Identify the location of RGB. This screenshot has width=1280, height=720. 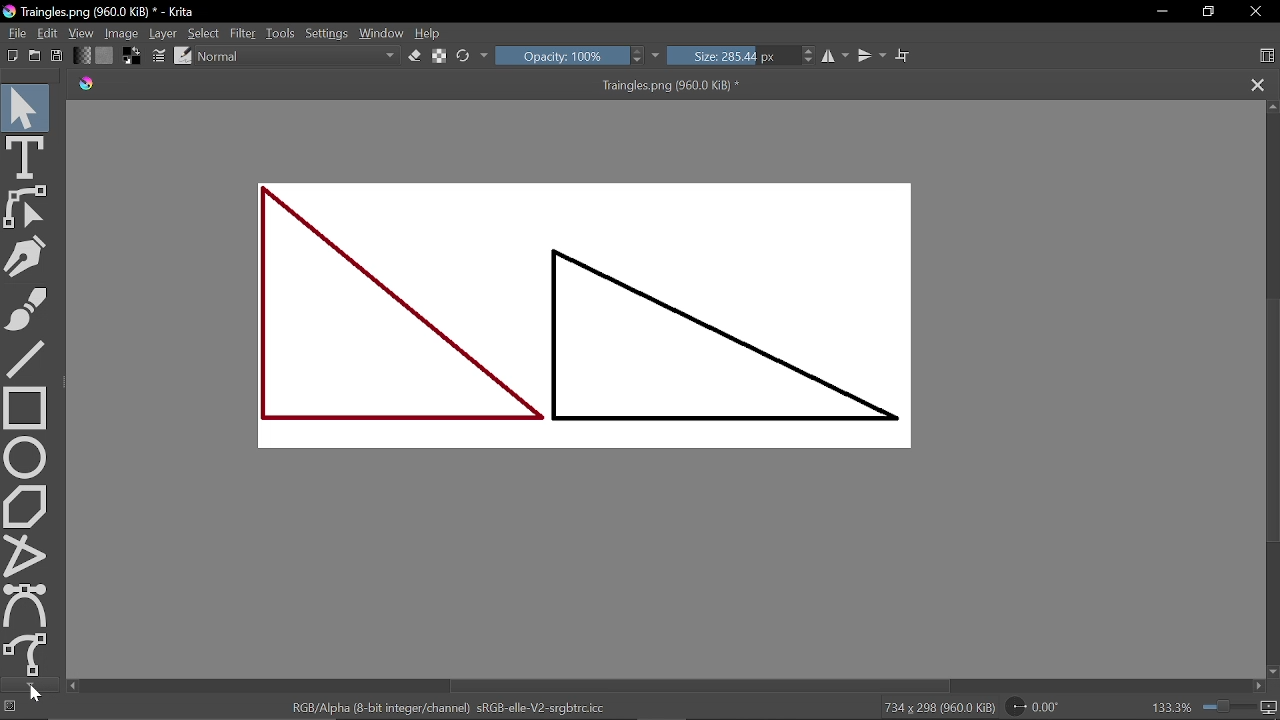
(447, 708).